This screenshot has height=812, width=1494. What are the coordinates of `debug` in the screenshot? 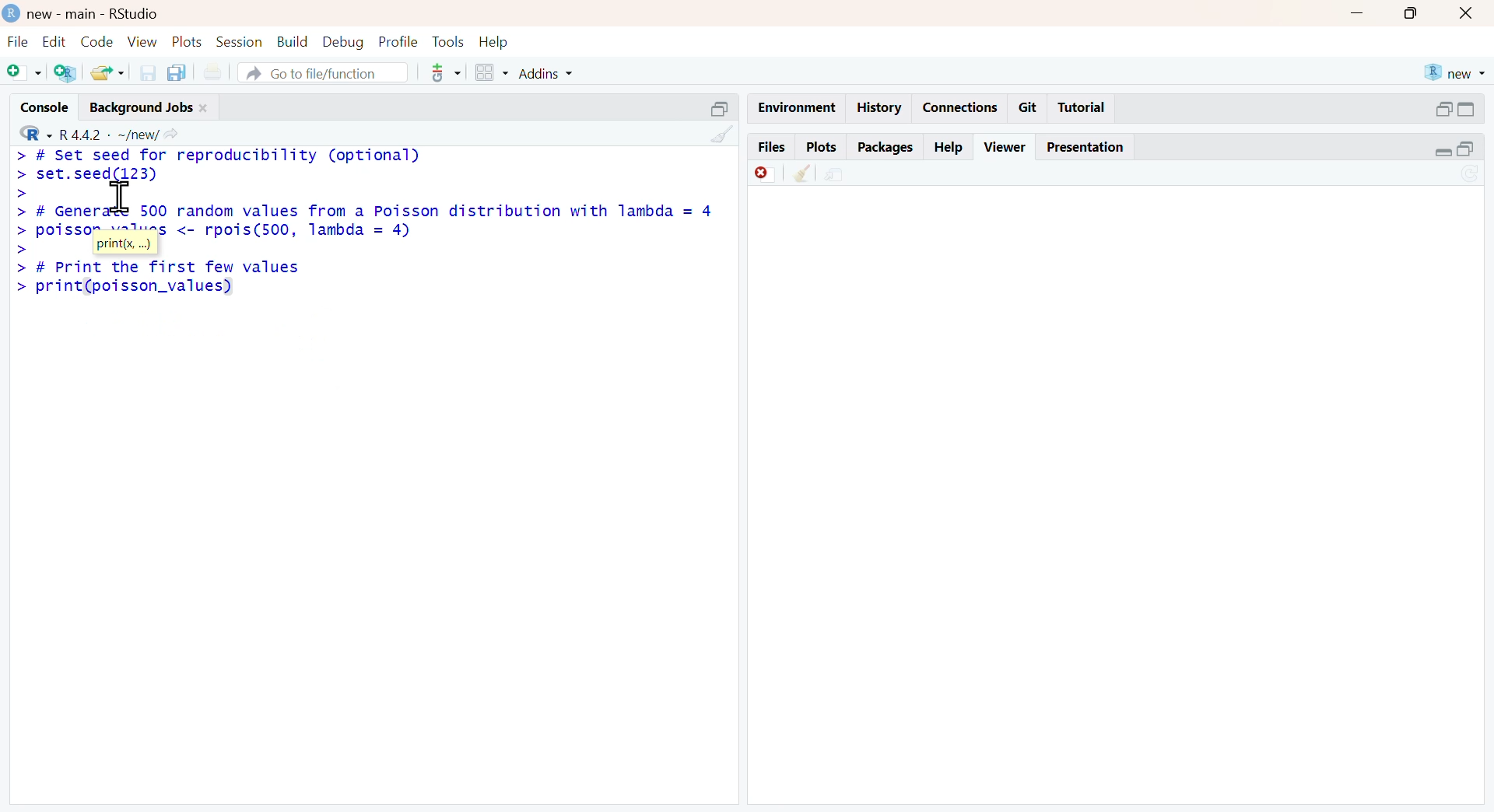 It's located at (345, 42).